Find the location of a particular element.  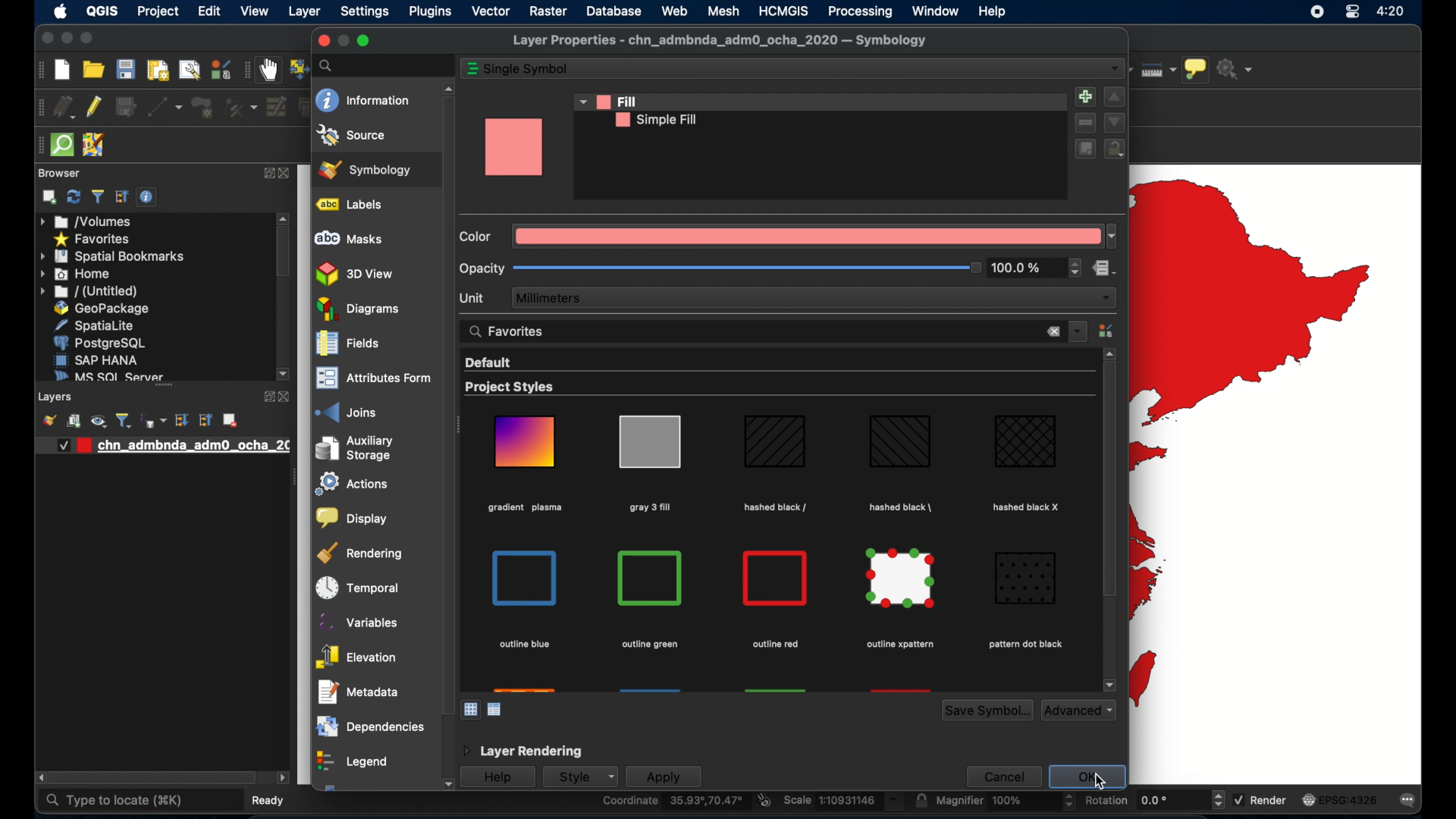

gradient plasma is located at coordinates (526, 510).